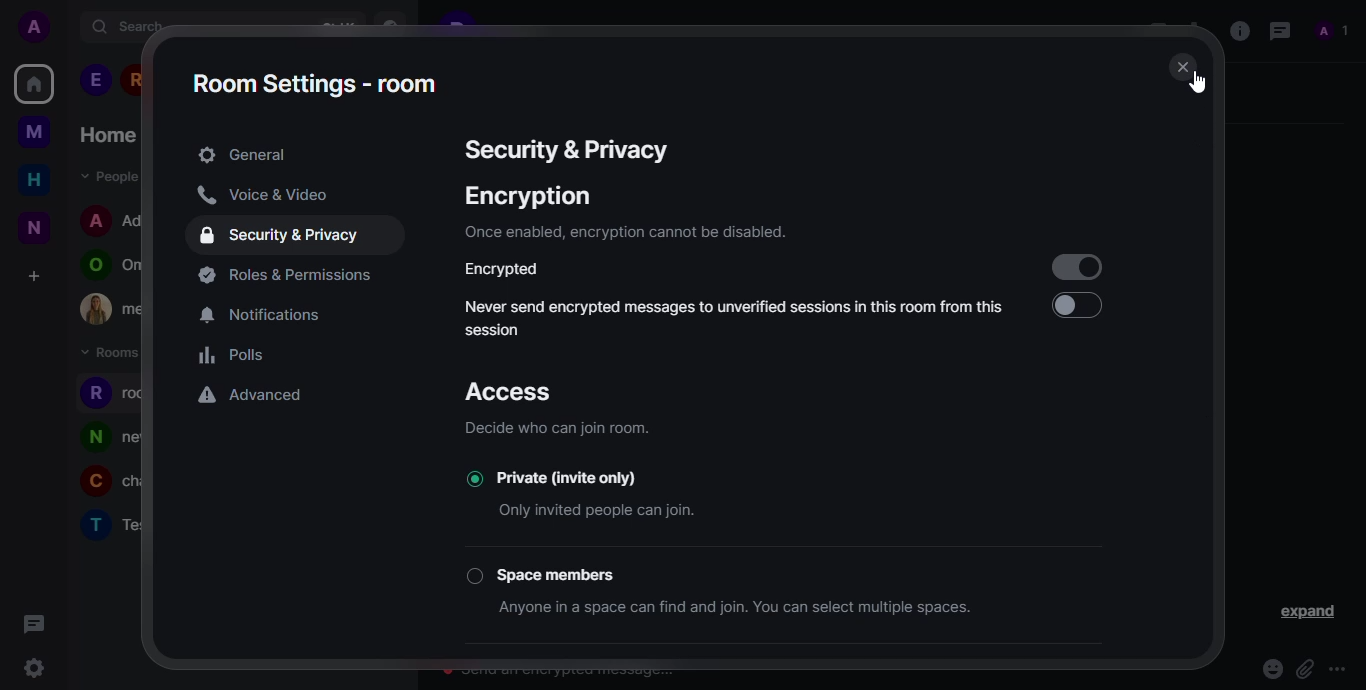 This screenshot has height=690, width=1366. Describe the element at coordinates (95, 80) in the screenshot. I see `people 1` at that location.